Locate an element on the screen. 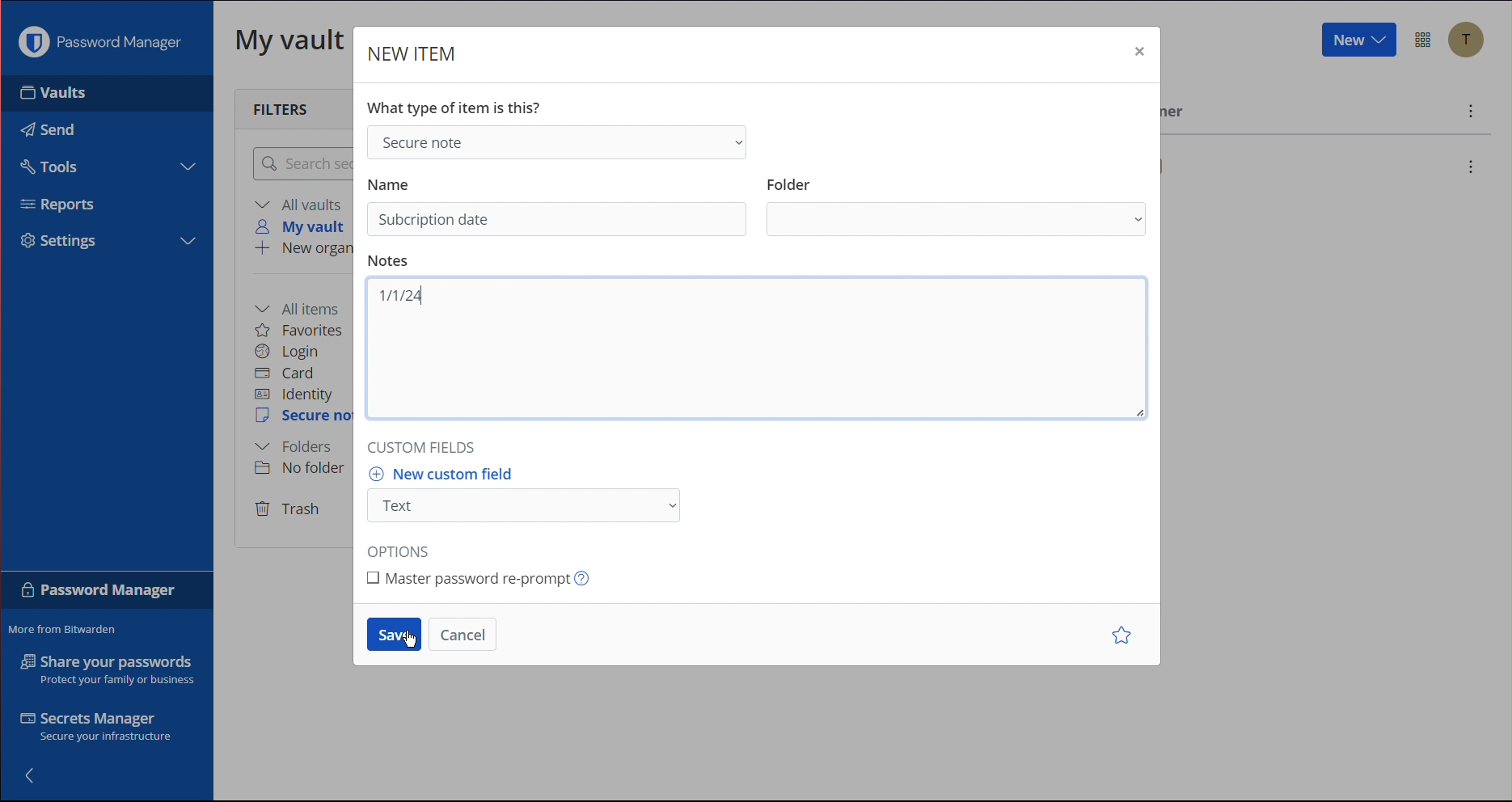 The height and width of the screenshot is (802, 1512). More is located at coordinates (1472, 113).